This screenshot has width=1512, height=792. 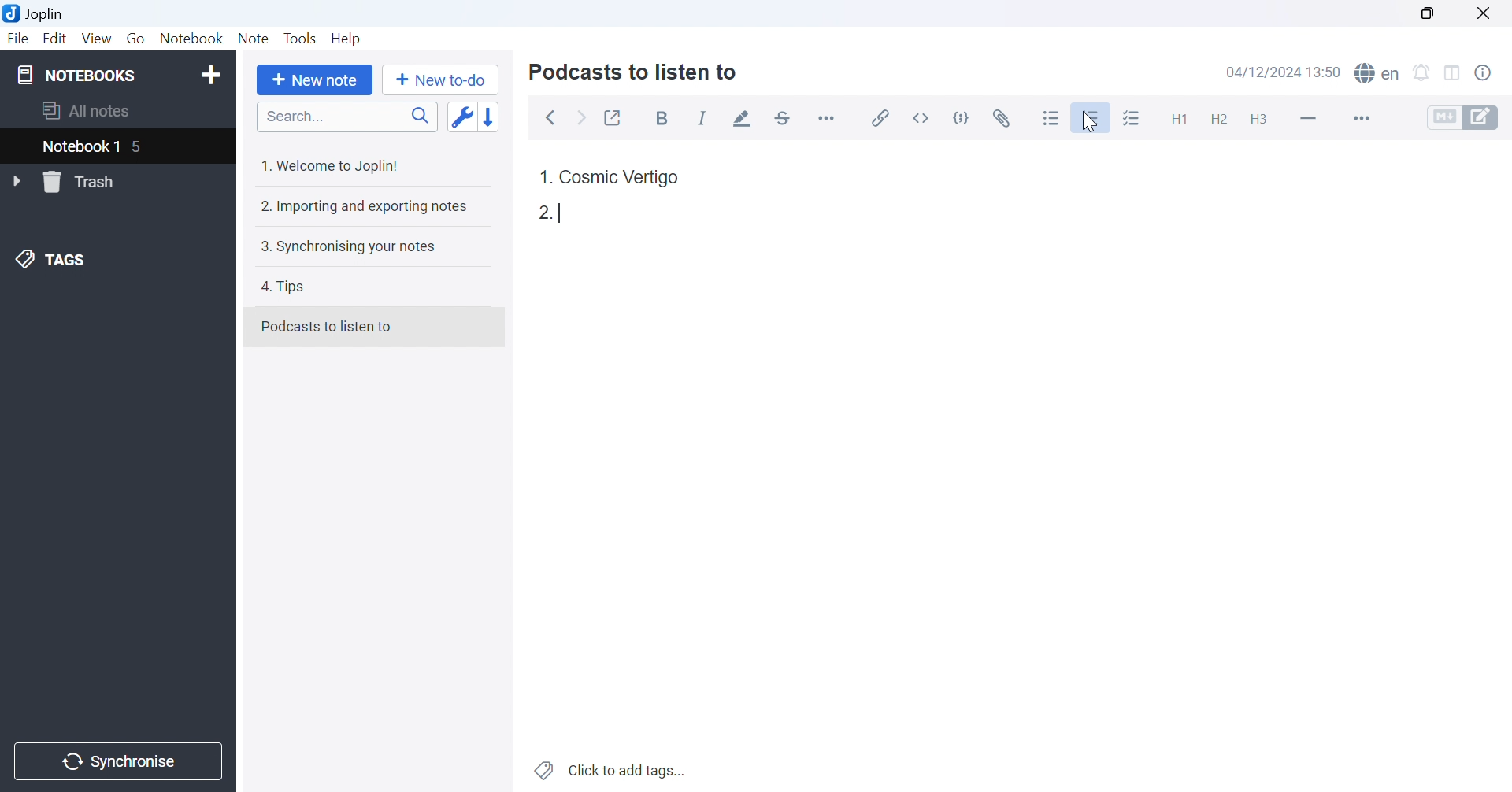 What do you see at coordinates (97, 37) in the screenshot?
I see `View` at bounding box center [97, 37].